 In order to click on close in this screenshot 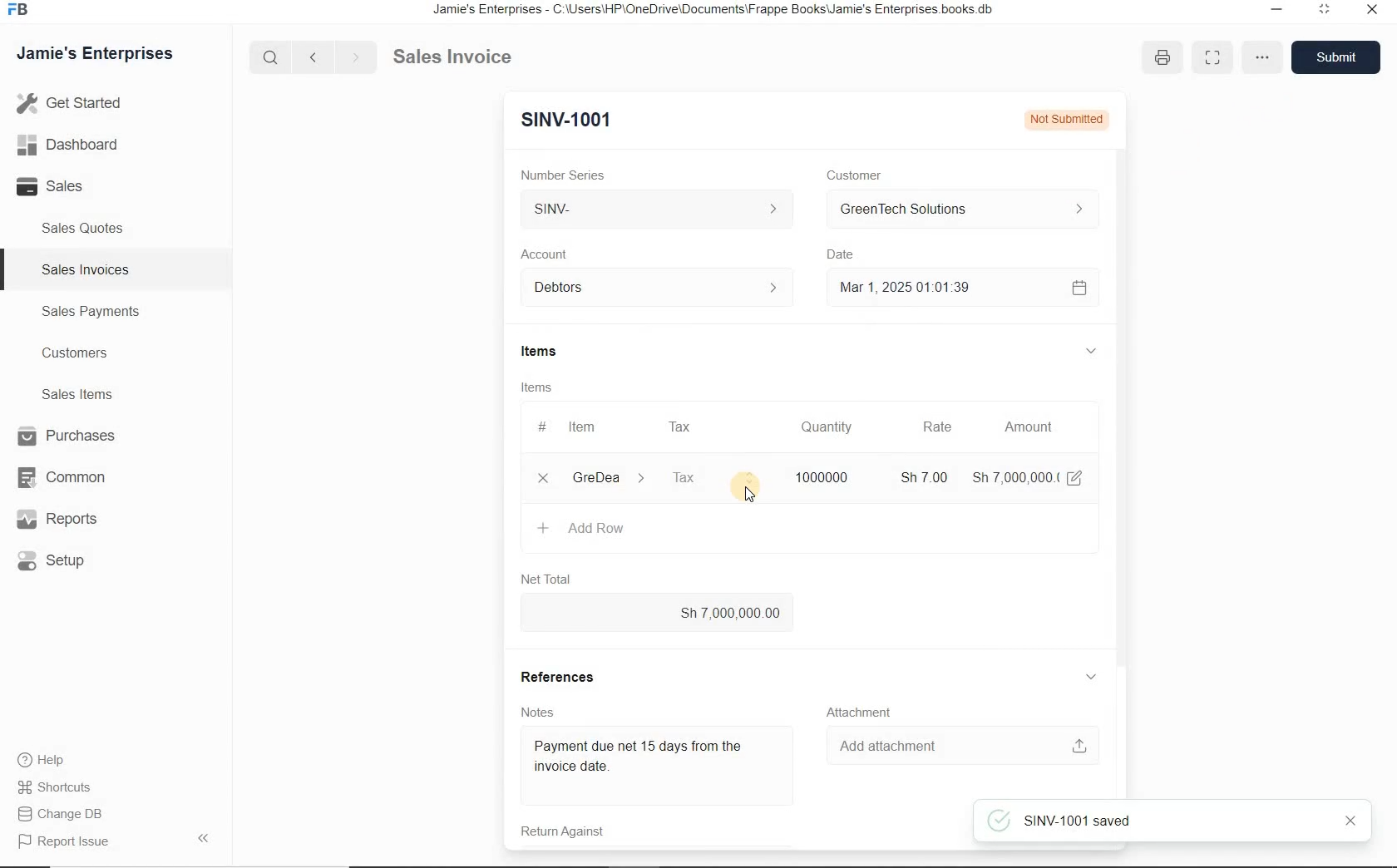, I will do `click(1345, 821)`.